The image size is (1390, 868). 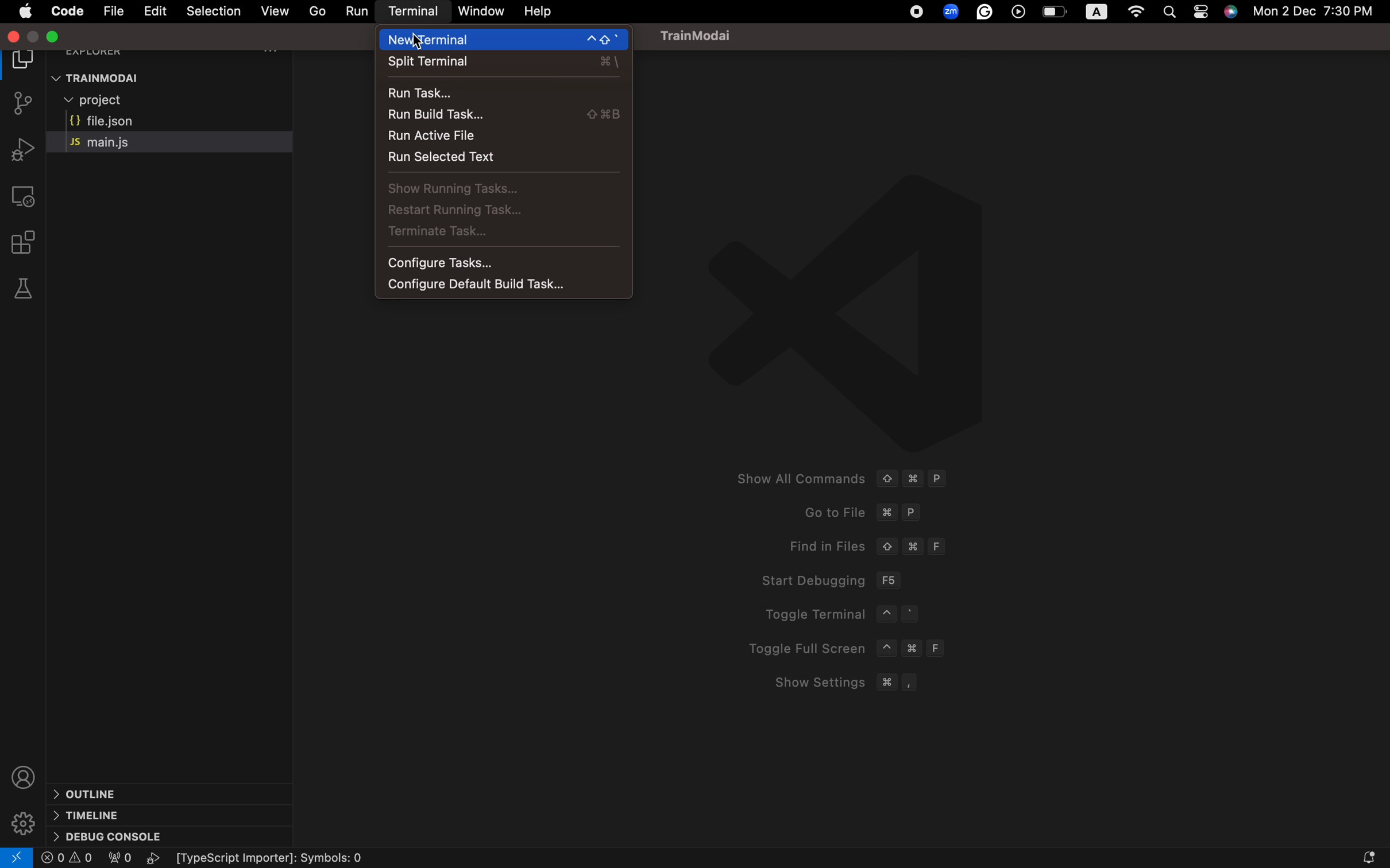 I want to click on Toggle Terminal, so click(x=858, y=615).